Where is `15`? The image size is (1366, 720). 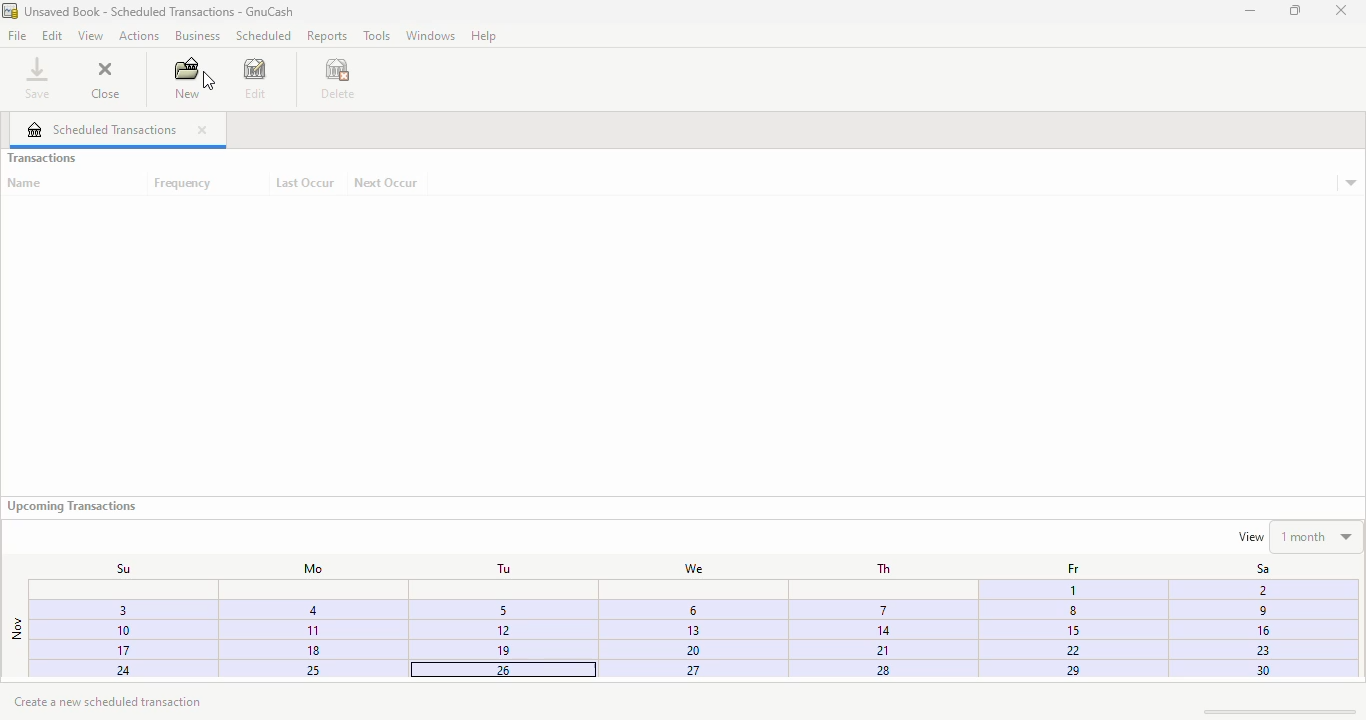 15 is located at coordinates (1073, 632).